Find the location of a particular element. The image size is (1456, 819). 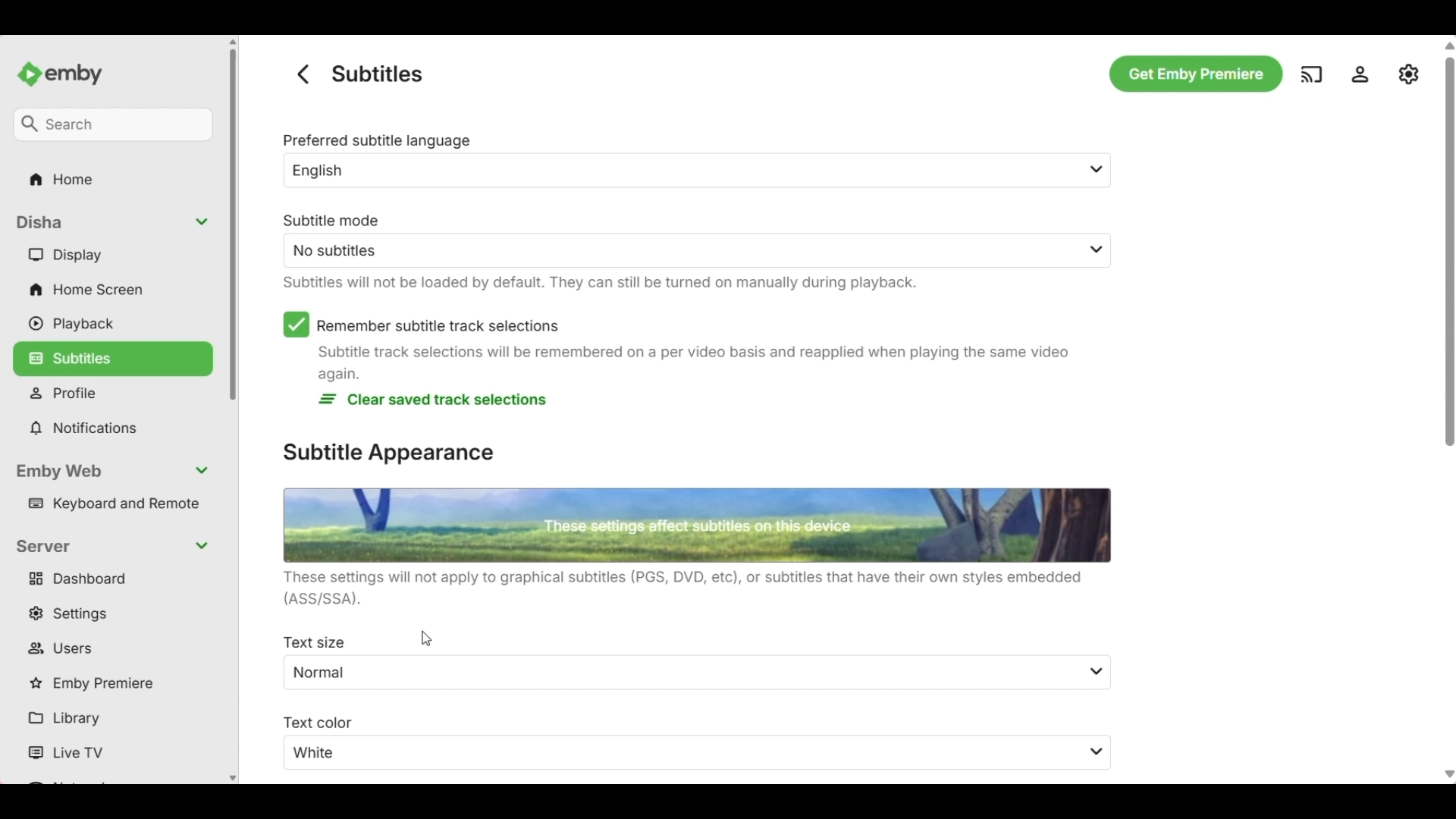

Home screen is located at coordinates (115, 290).